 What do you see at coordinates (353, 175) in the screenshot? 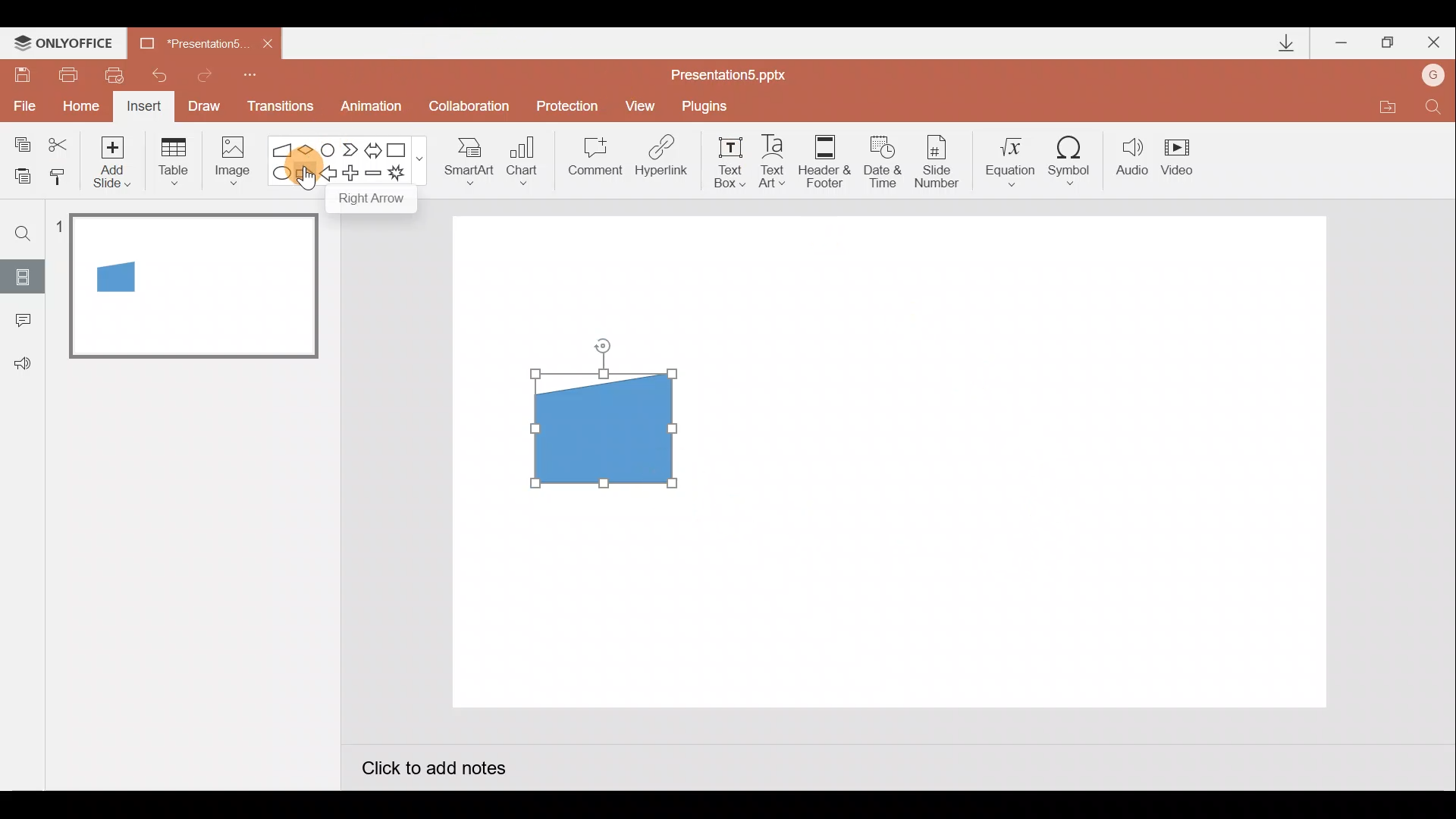
I see `Plus` at bounding box center [353, 175].